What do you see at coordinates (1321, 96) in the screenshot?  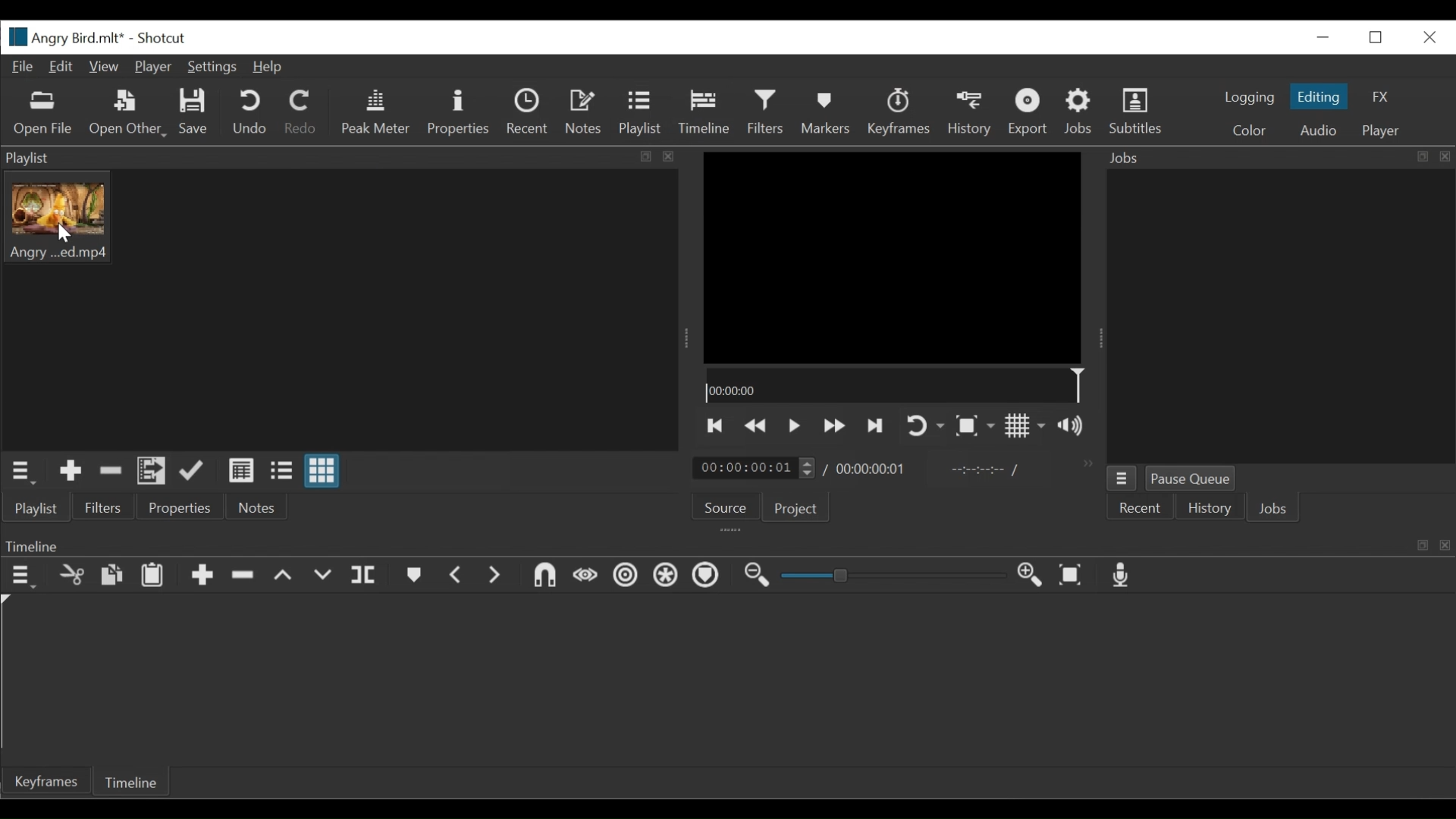 I see `Editing` at bounding box center [1321, 96].